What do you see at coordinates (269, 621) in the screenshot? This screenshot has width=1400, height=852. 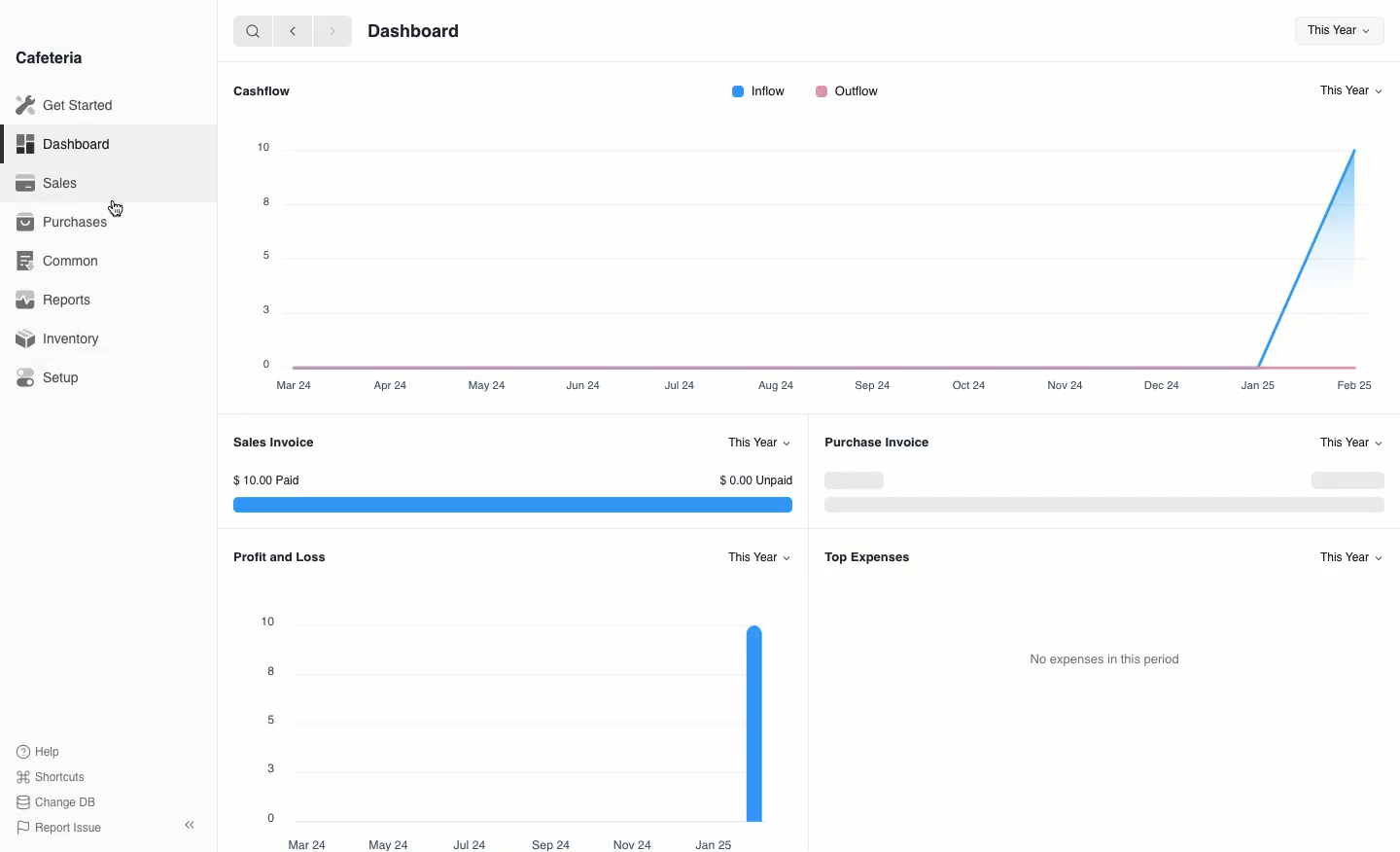 I see `10` at bounding box center [269, 621].